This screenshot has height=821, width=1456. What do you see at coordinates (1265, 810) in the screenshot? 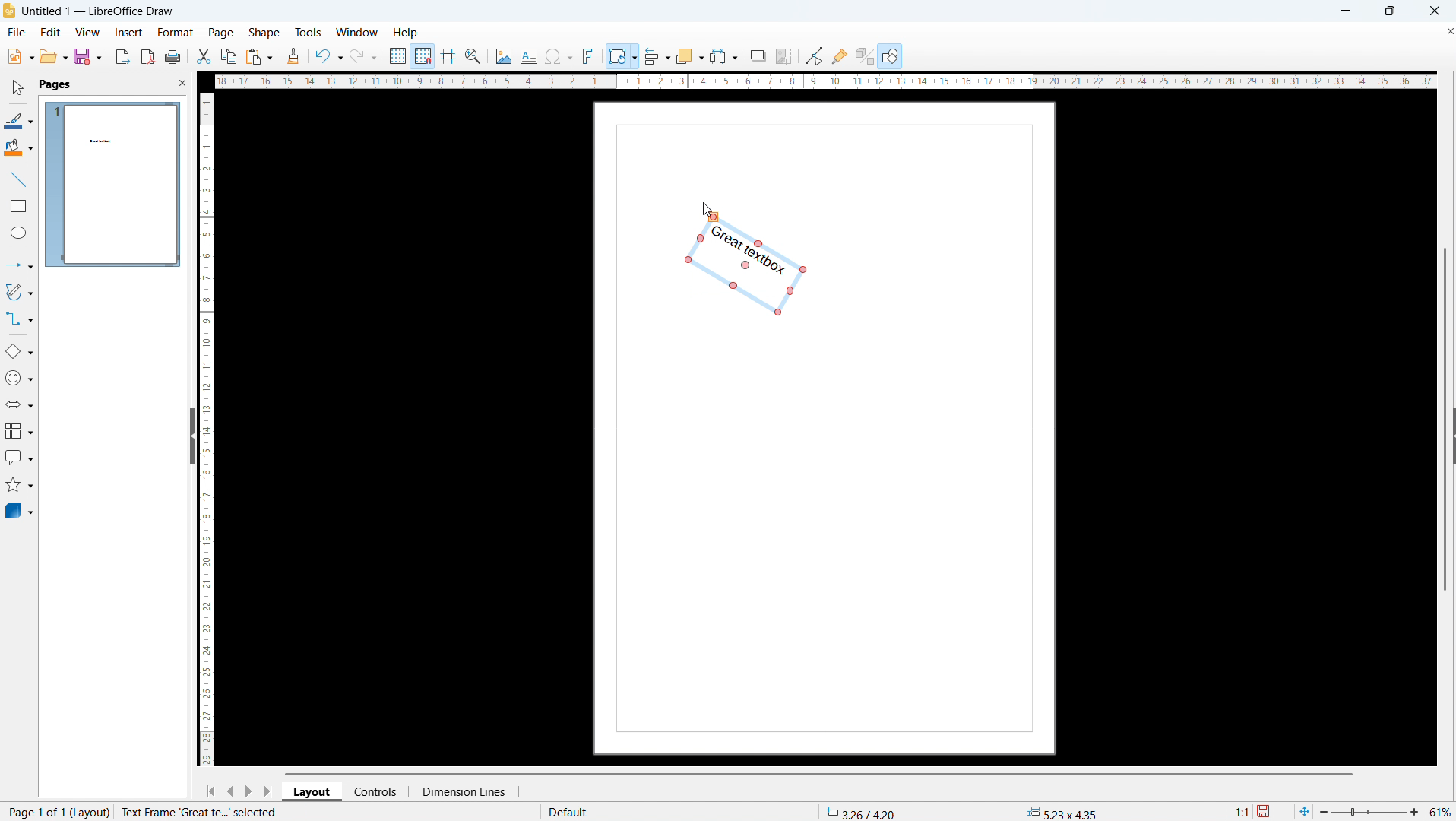
I see `save ` at bounding box center [1265, 810].